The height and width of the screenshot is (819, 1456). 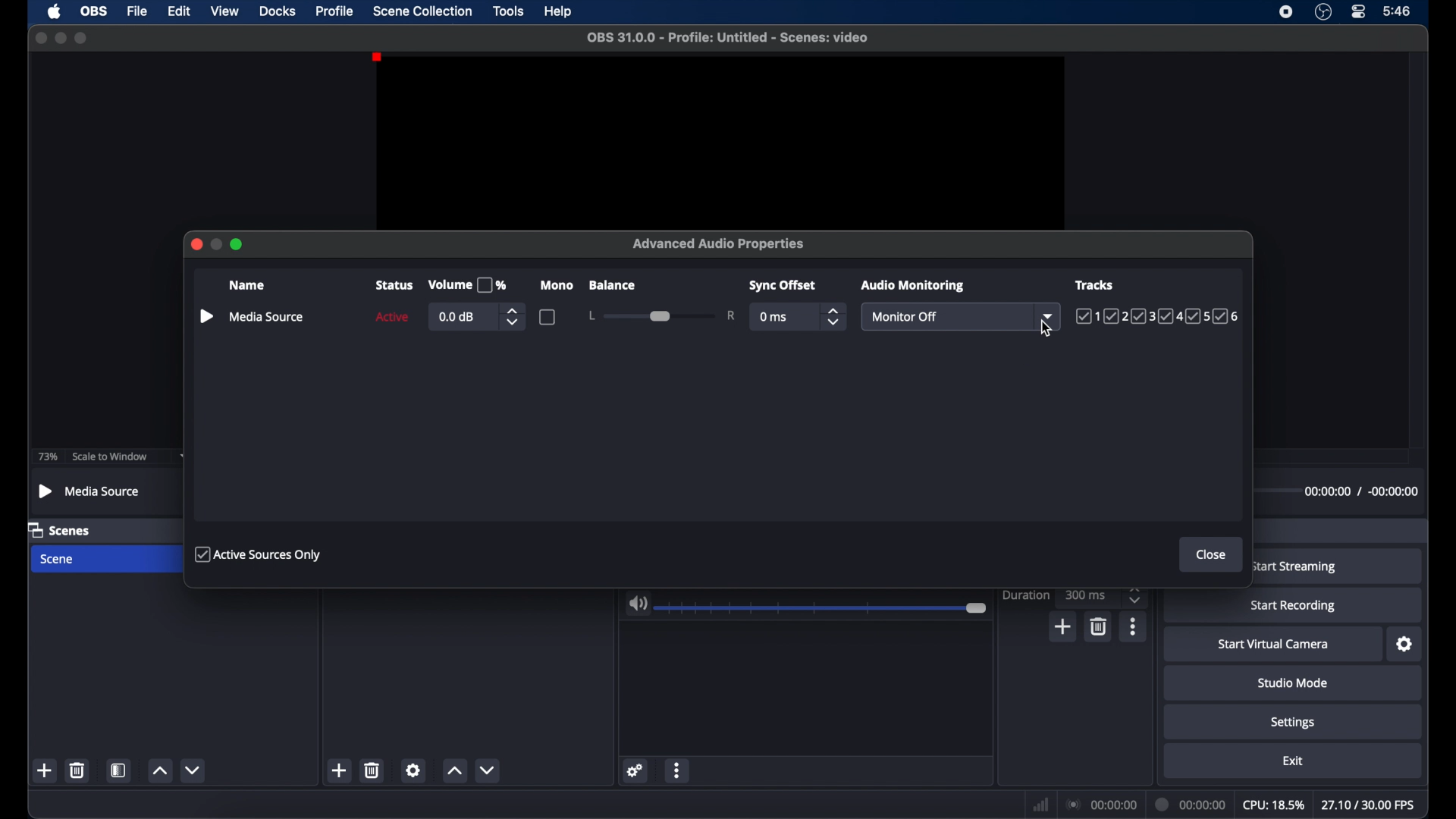 What do you see at coordinates (467, 285) in the screenshot?
I see `volume` at bounding box center [467, 285].